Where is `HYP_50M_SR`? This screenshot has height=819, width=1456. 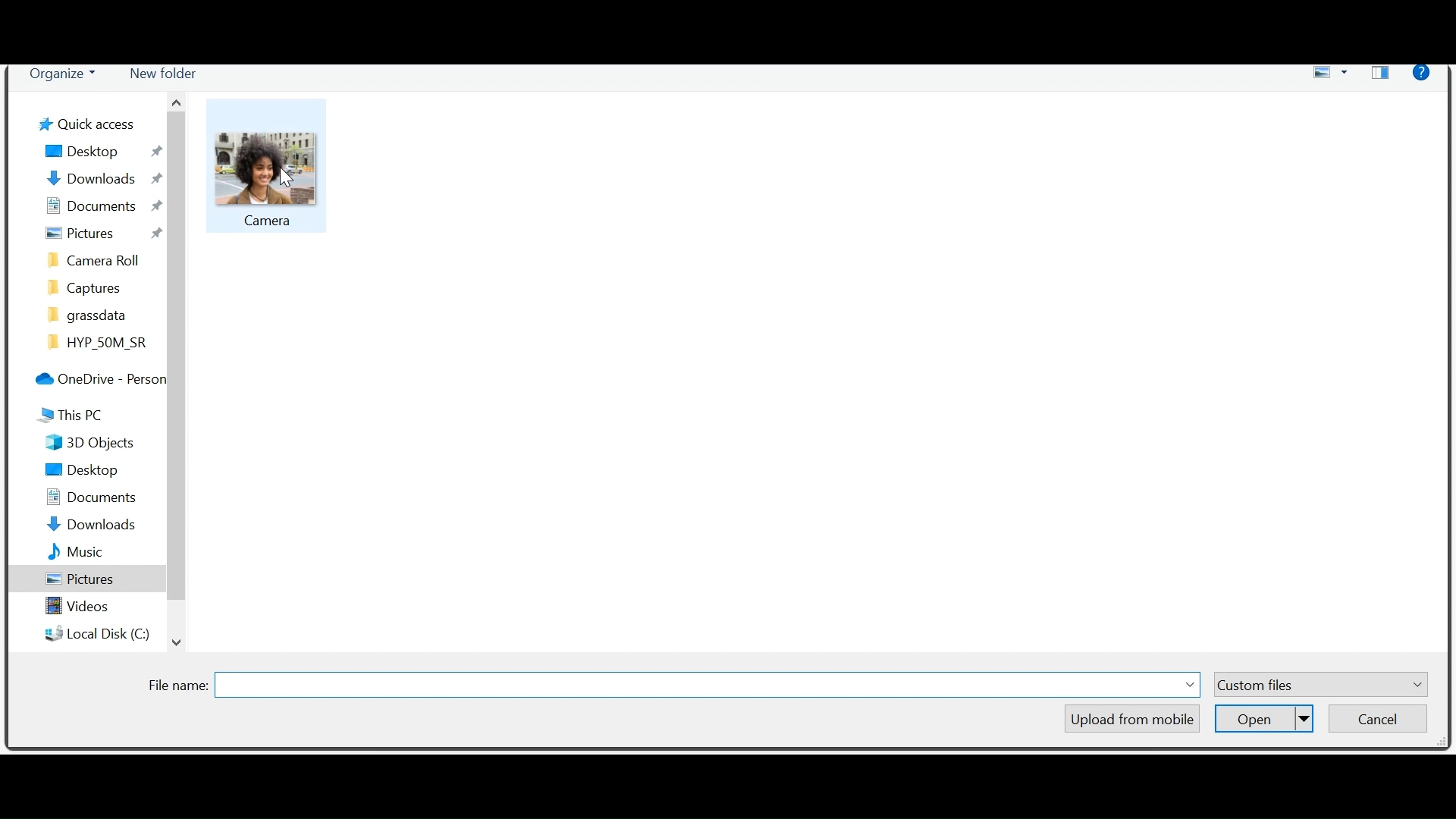 HYP_50M_SR is located at coordinates (101, 344).